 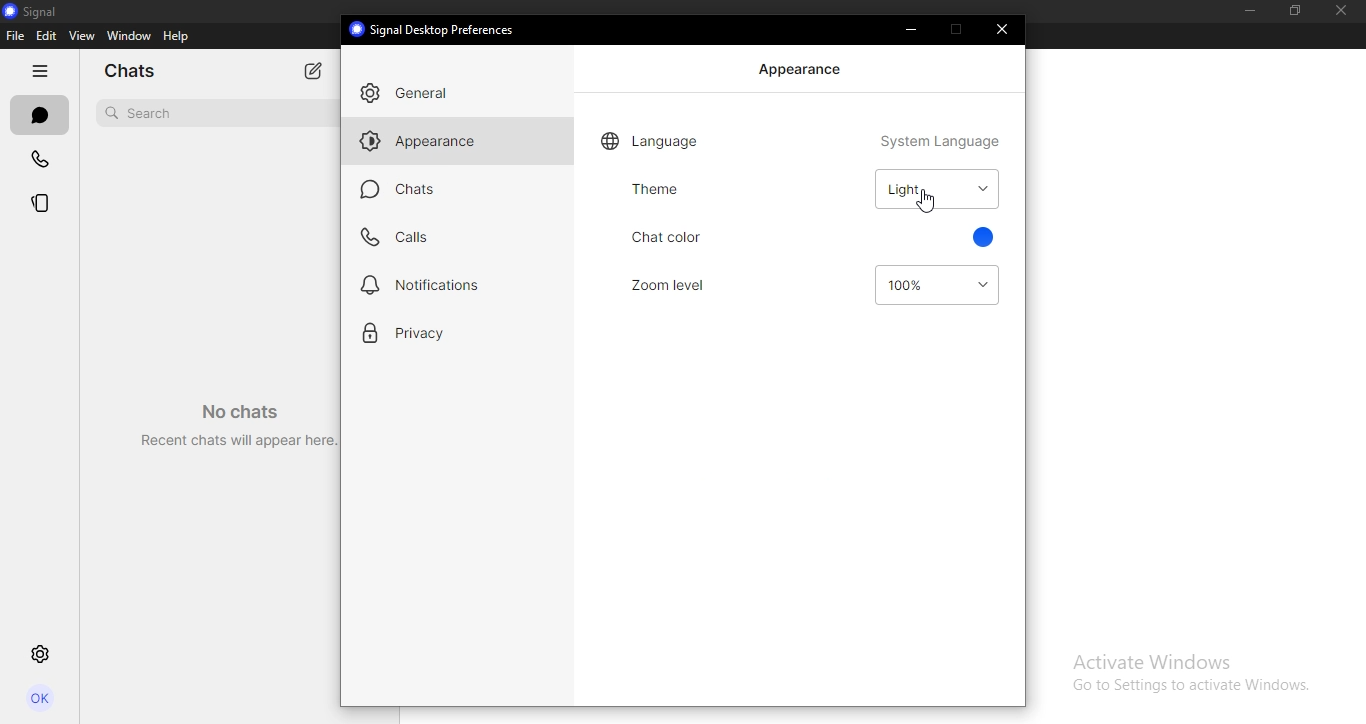 What do you see at coordinates (654, 188) in the screenshot?
I see `theme` at bounding box center [654, 188].